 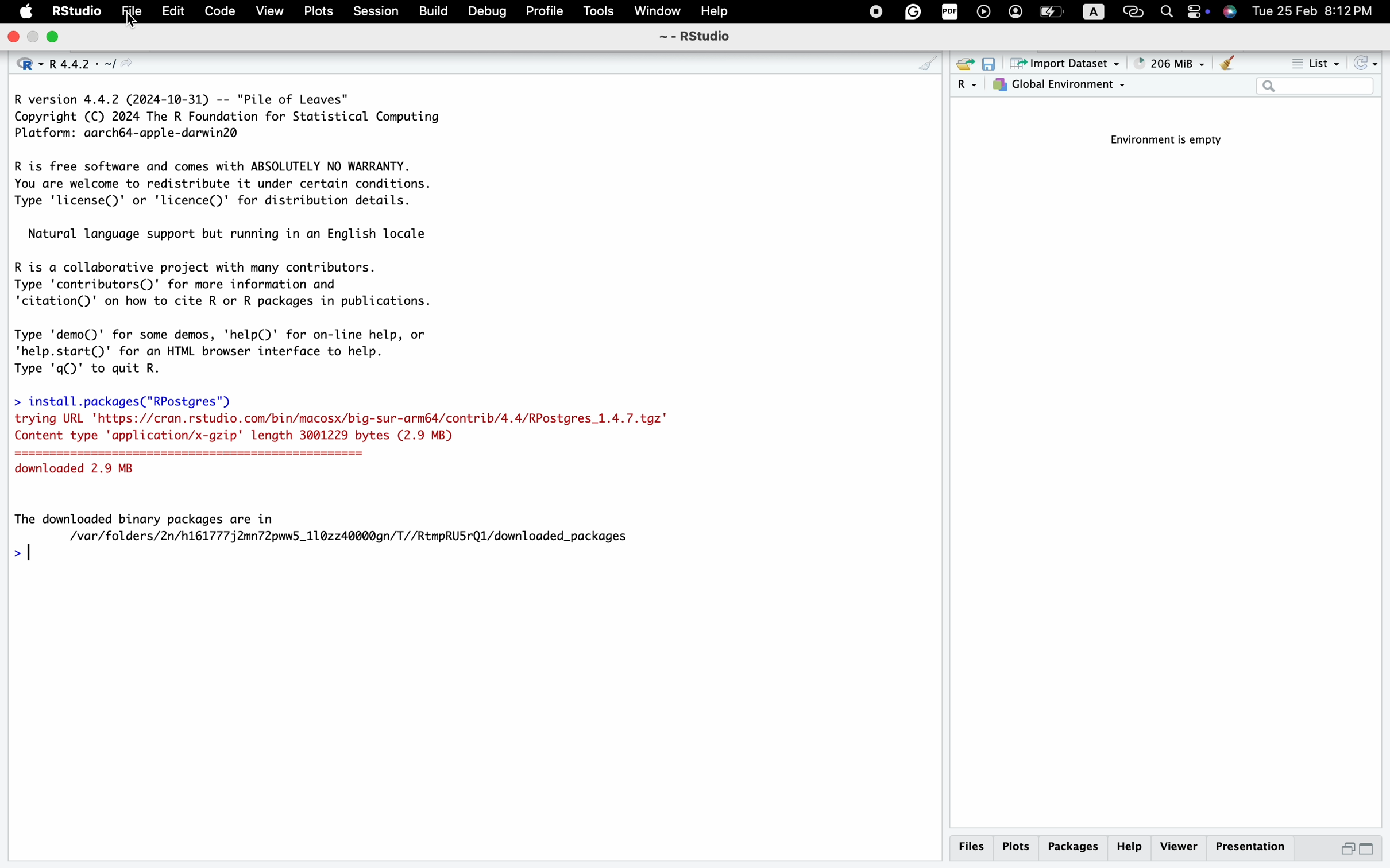 I want to click on maximize, so click(x=57, y=38).